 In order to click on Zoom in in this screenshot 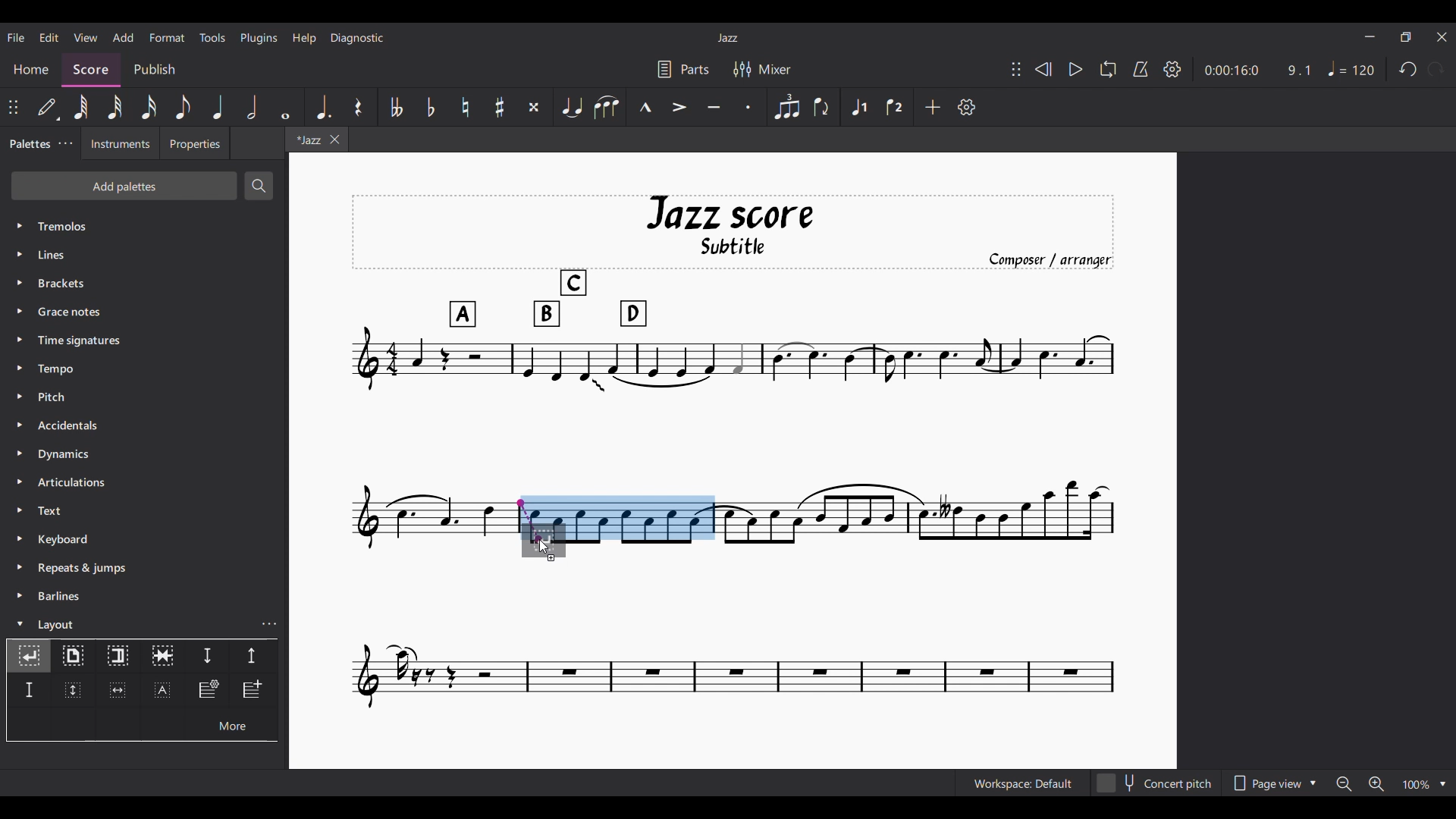, I will do `click(1376, 783)`.